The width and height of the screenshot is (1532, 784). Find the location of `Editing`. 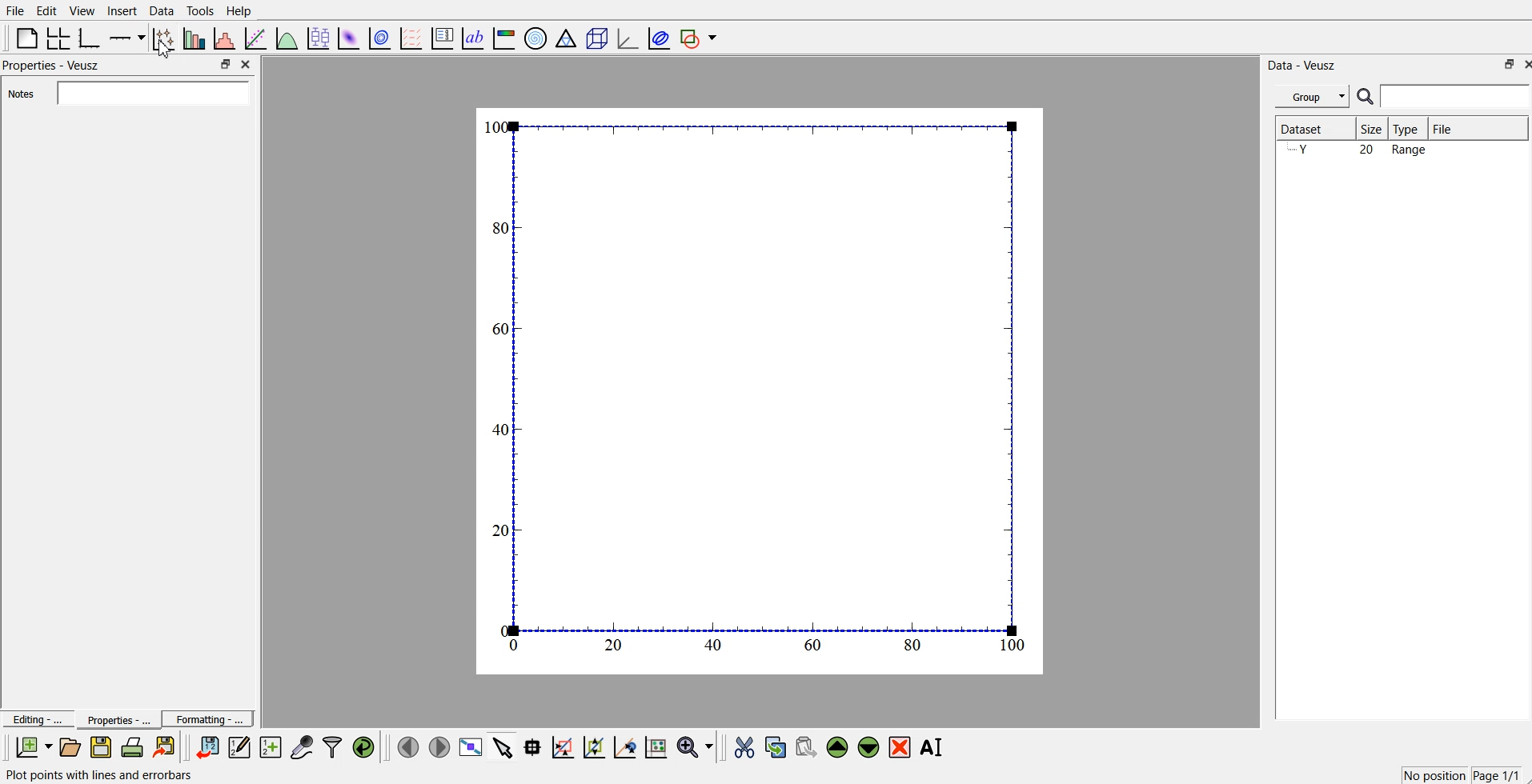

Editing is located at coordinates (36, 718).